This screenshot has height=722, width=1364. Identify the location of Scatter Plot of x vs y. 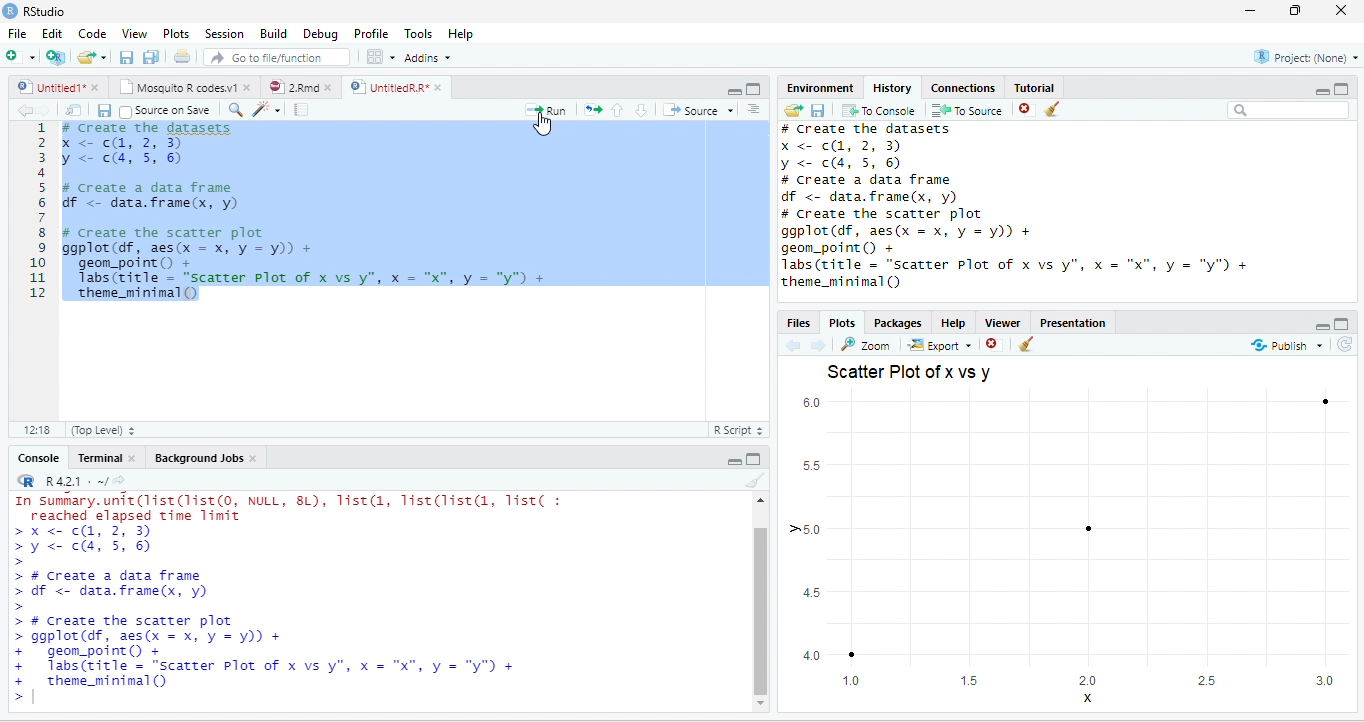
(910, 373).